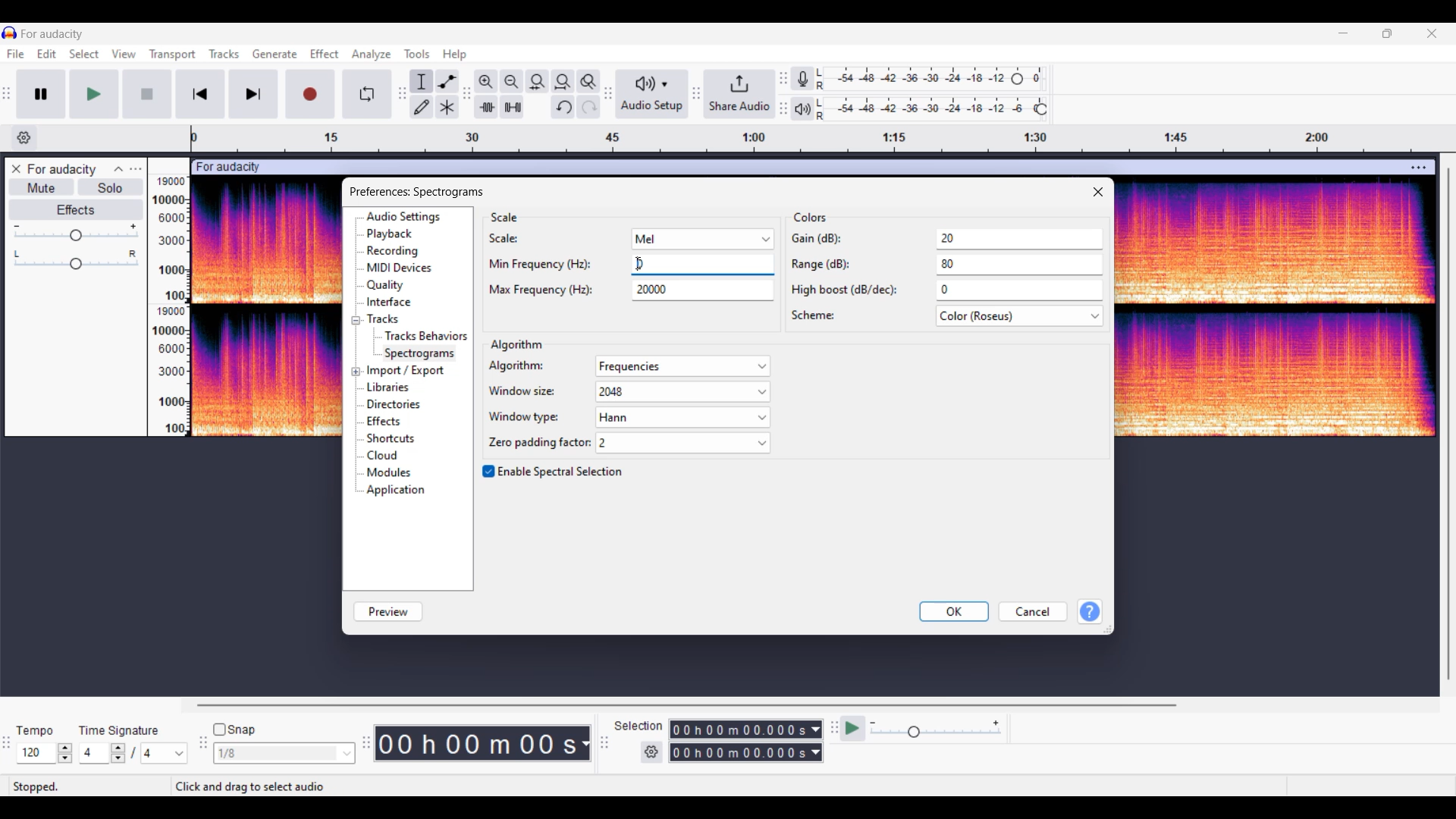  What do you see at coordinates (652, 93) in the screenshot?
I see `Audio setup` at bounding box center [652, 93].